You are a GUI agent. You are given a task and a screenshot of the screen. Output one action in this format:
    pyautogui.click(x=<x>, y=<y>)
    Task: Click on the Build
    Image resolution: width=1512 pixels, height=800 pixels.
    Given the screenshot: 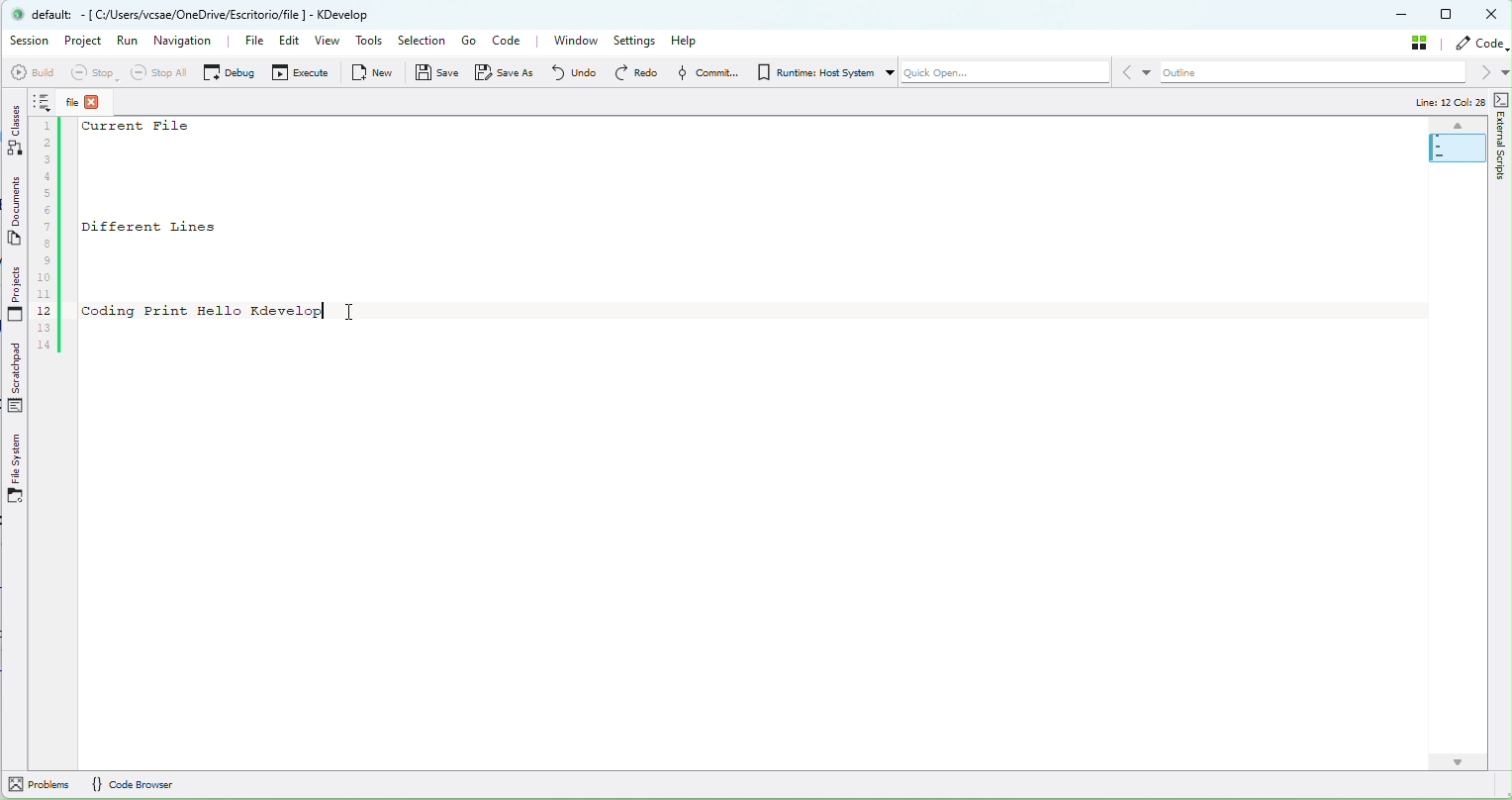 What is the action you would take?
    pyautogui.click(x=31, y=72)
    